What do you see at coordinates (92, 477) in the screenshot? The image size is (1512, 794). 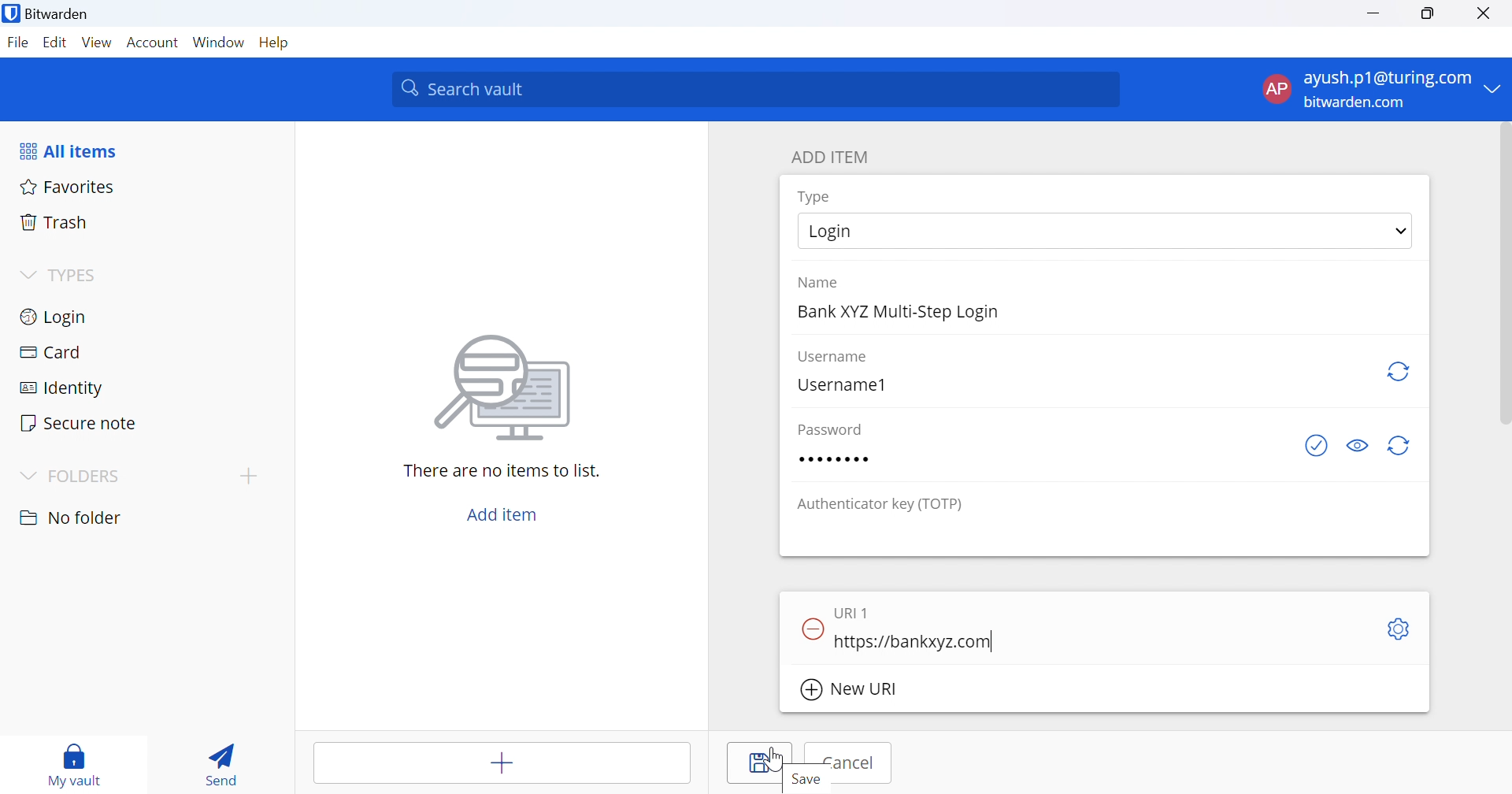 I see `FOLDERS` at bounding box center [92, 477].